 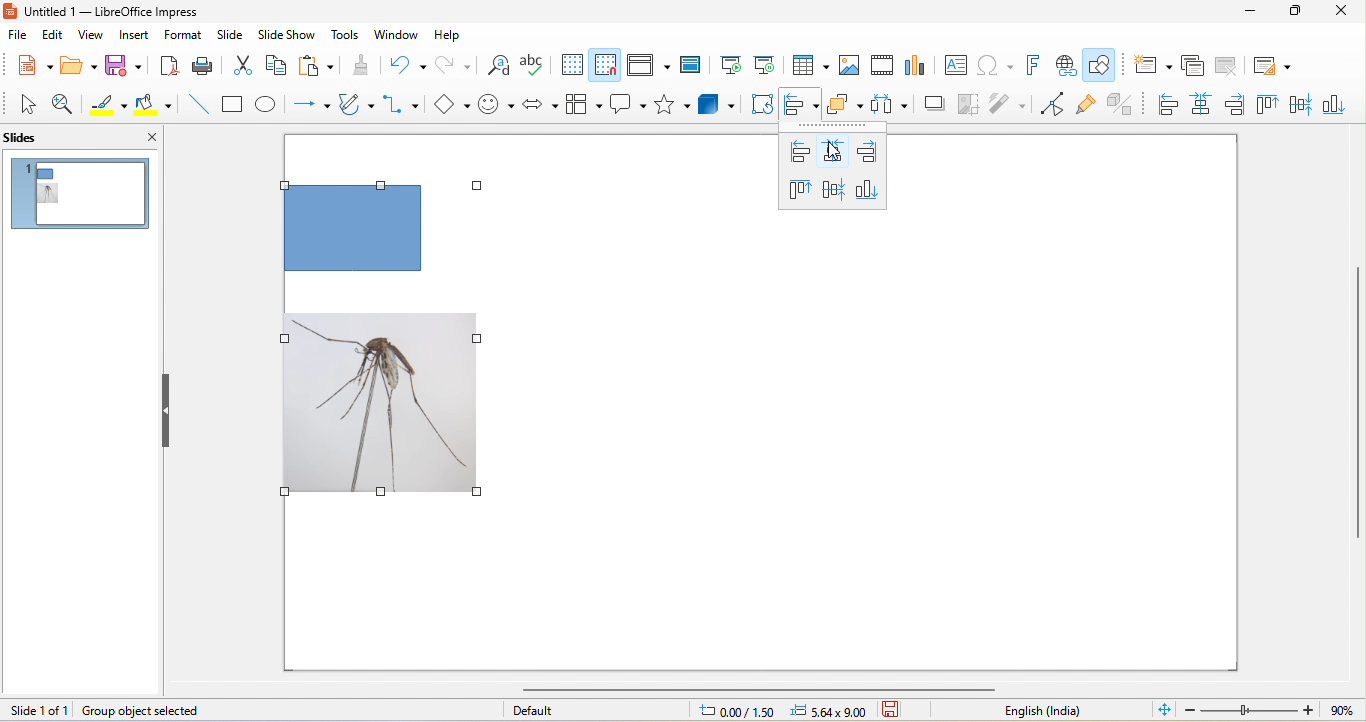 I want to click on print, so click(x=200, y=66).